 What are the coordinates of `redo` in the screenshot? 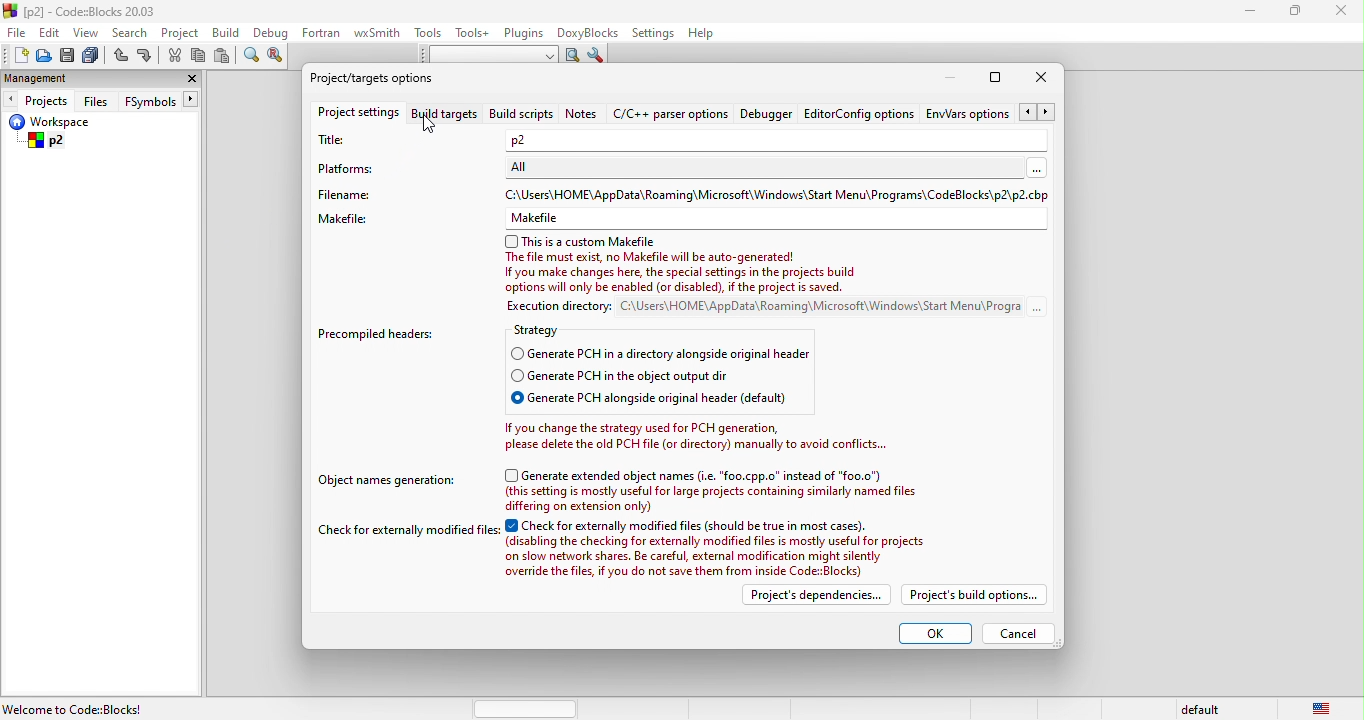 It's located at (145, 57).